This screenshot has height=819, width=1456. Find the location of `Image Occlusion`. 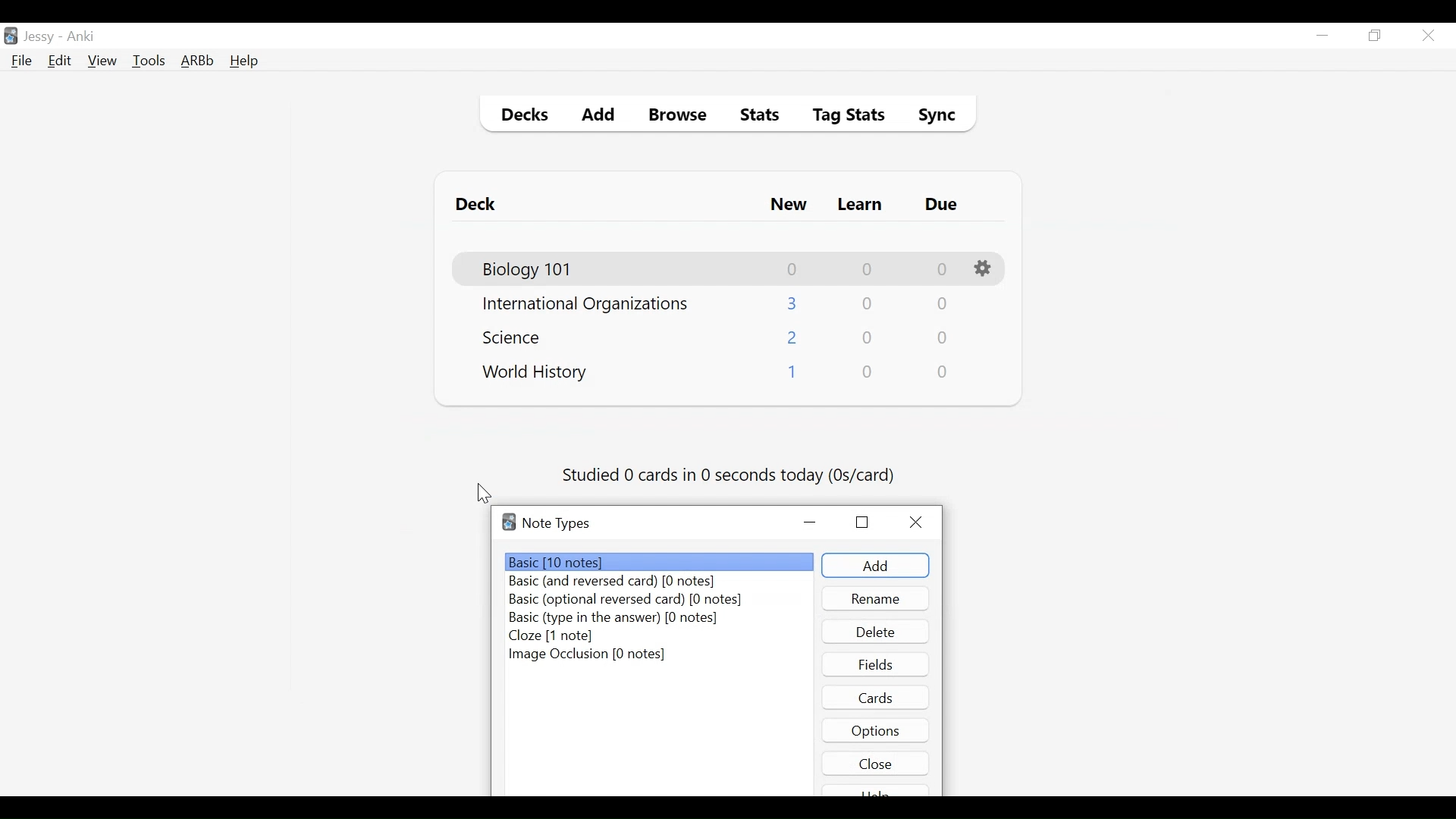

Image Occlusion is located at coordinates (588, 655).